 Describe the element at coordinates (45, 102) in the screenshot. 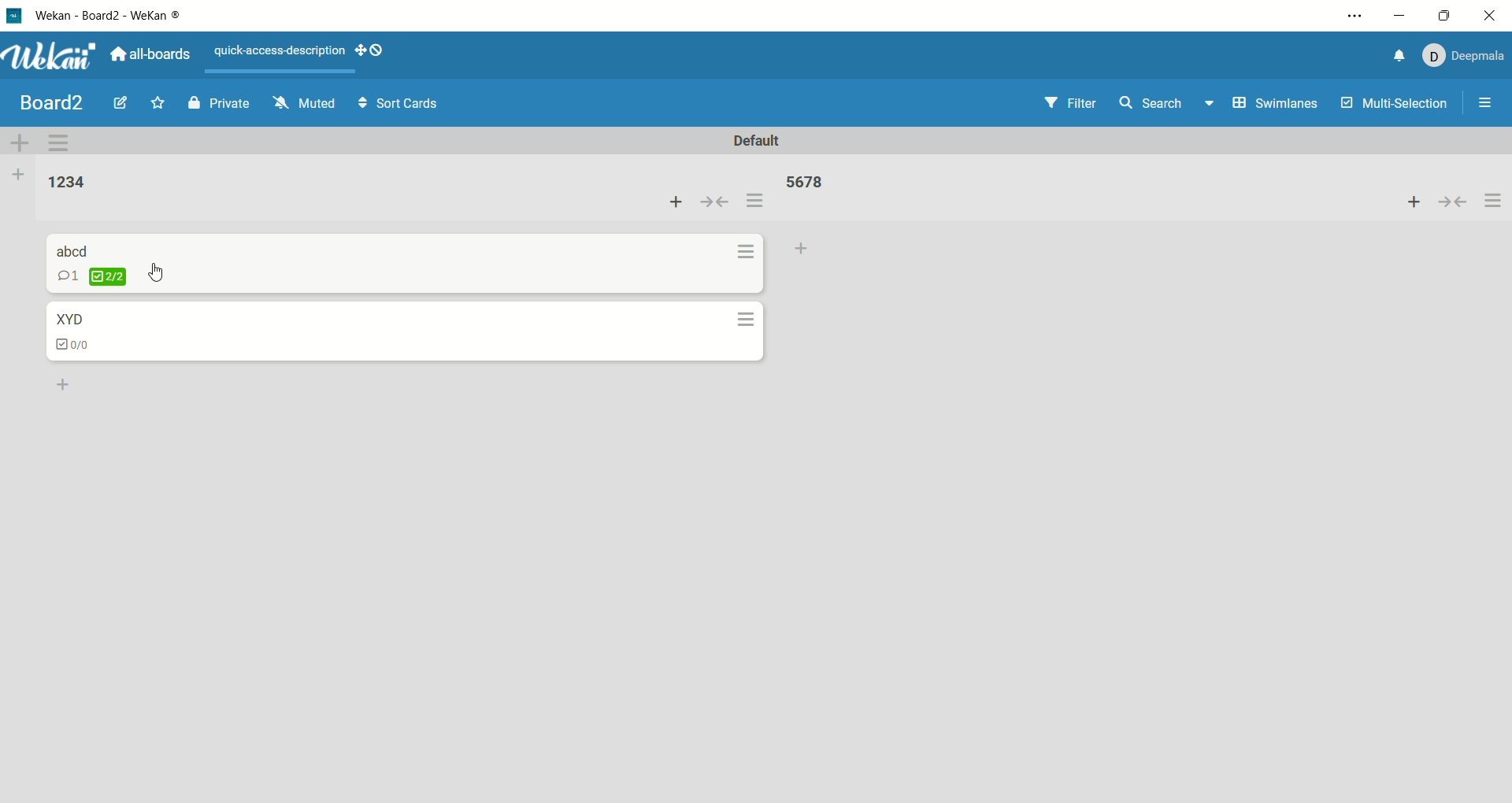

I see `board title` at that location.